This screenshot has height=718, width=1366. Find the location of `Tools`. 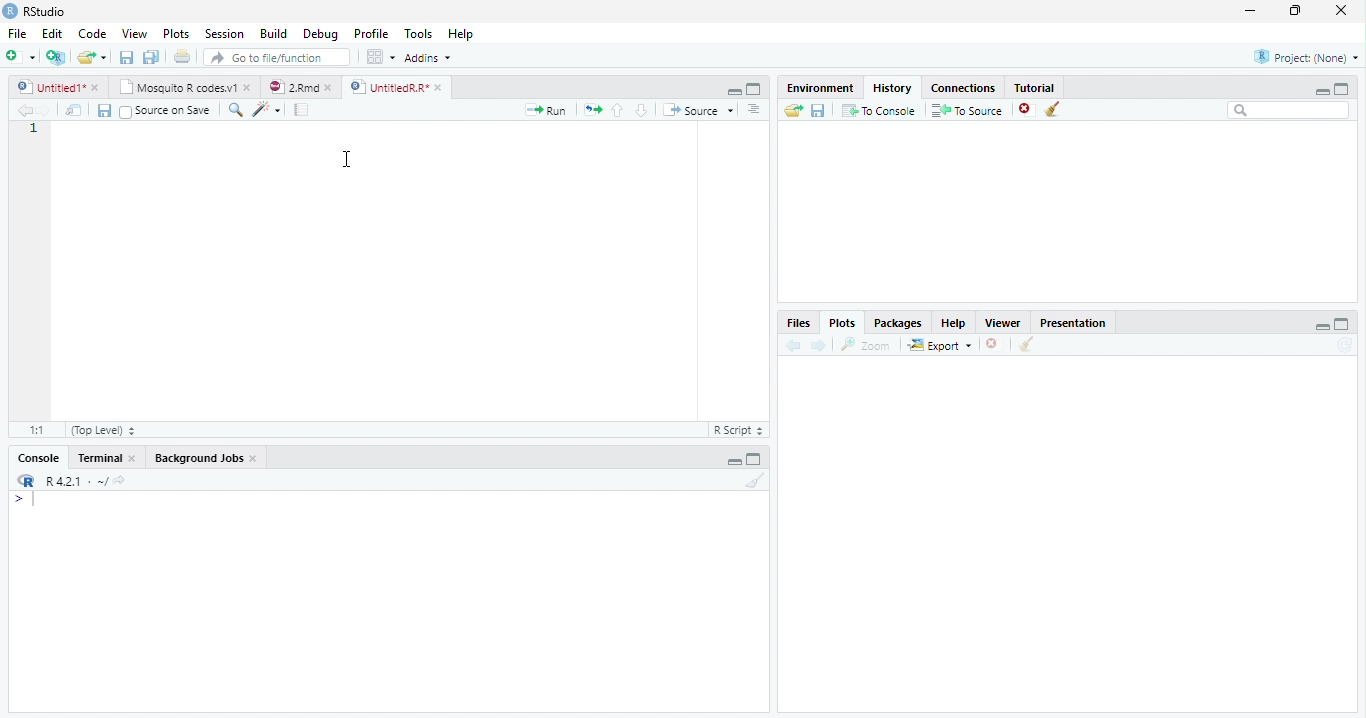

Tools is located at coordinates (417, 33).